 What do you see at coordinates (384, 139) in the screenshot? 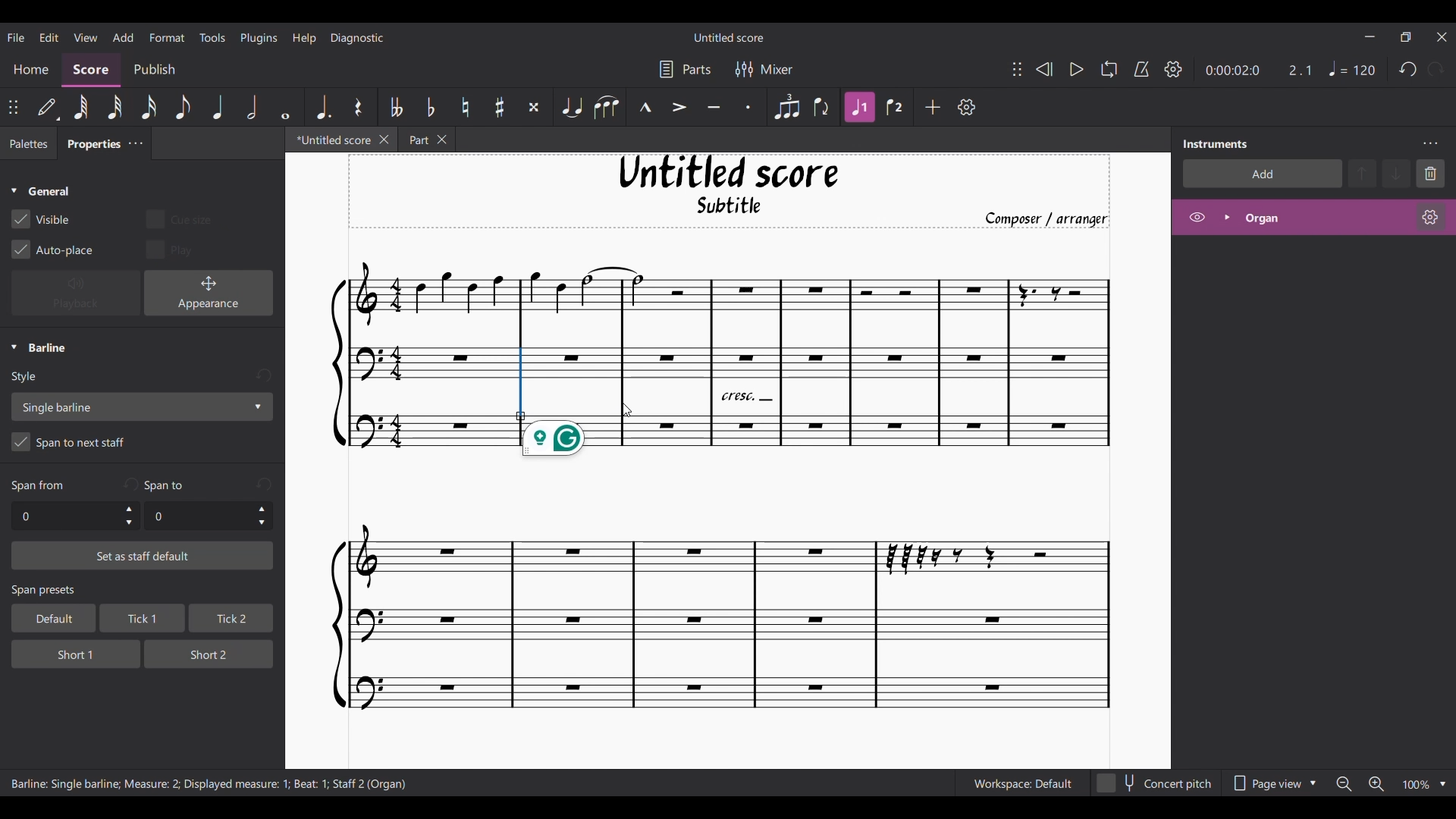
I see `Close current tab` at bounding box center [384, 139].